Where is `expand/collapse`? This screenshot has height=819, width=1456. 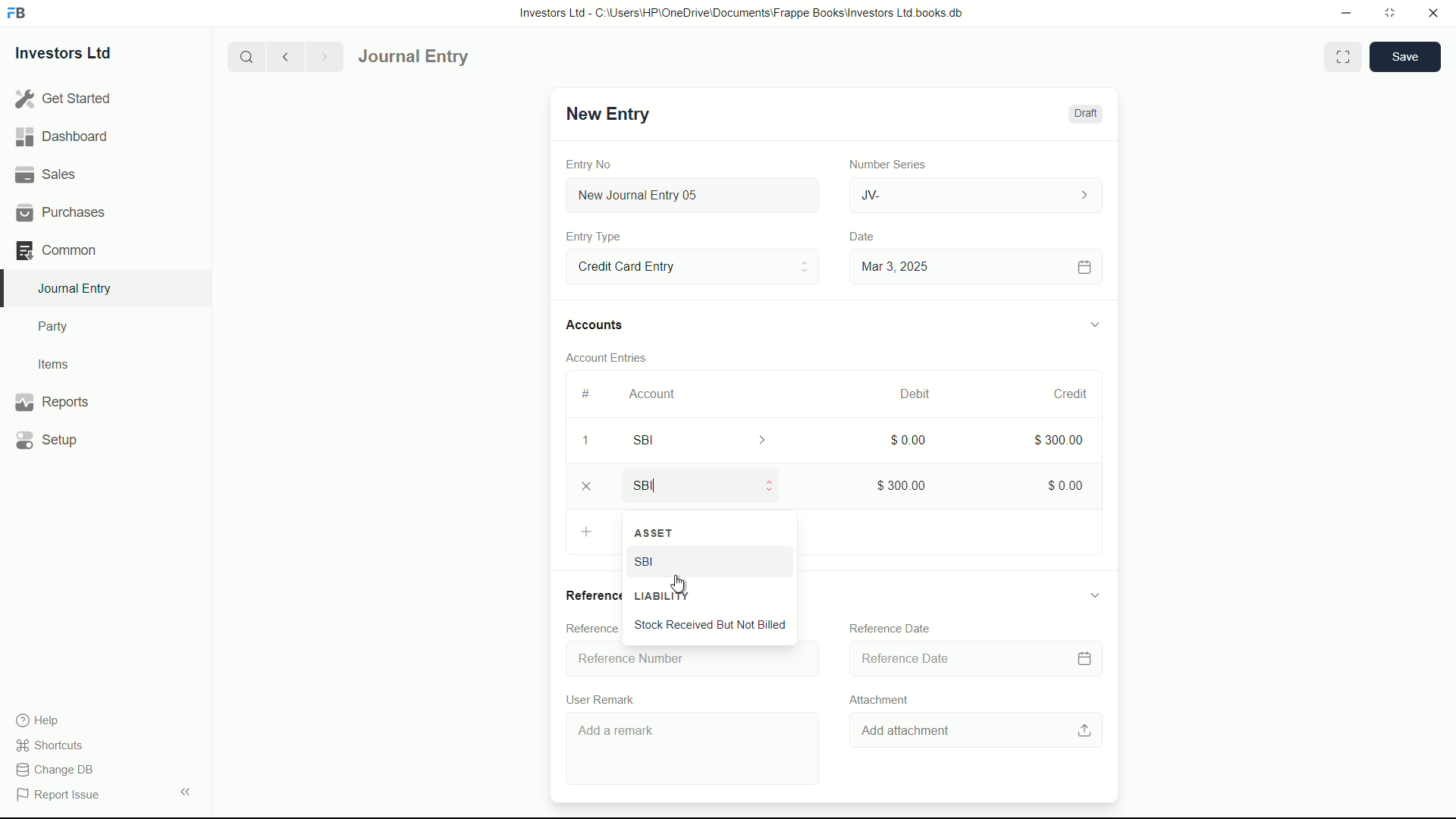 expand/collapse is located at coordinates (1094, 322).